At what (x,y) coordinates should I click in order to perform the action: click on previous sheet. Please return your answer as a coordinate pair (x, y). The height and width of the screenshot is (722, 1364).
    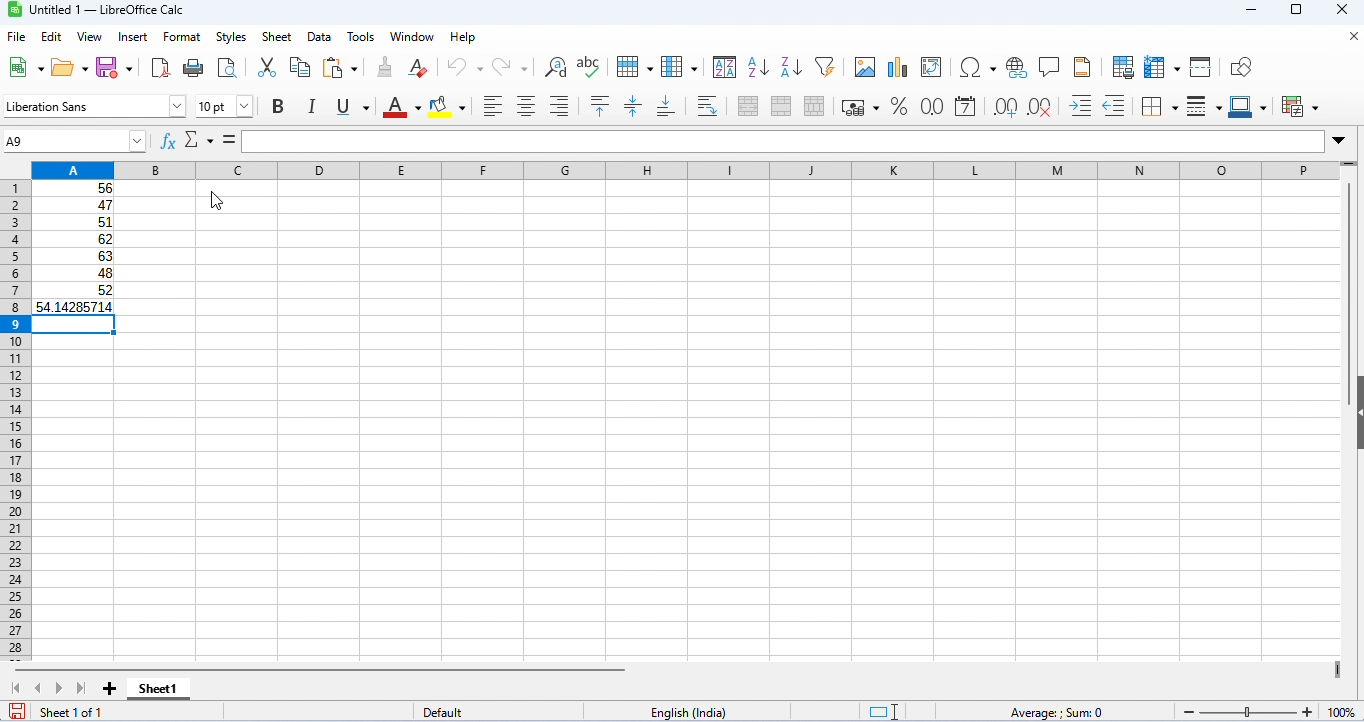
    Looking at the image, I should click on (39, 687).